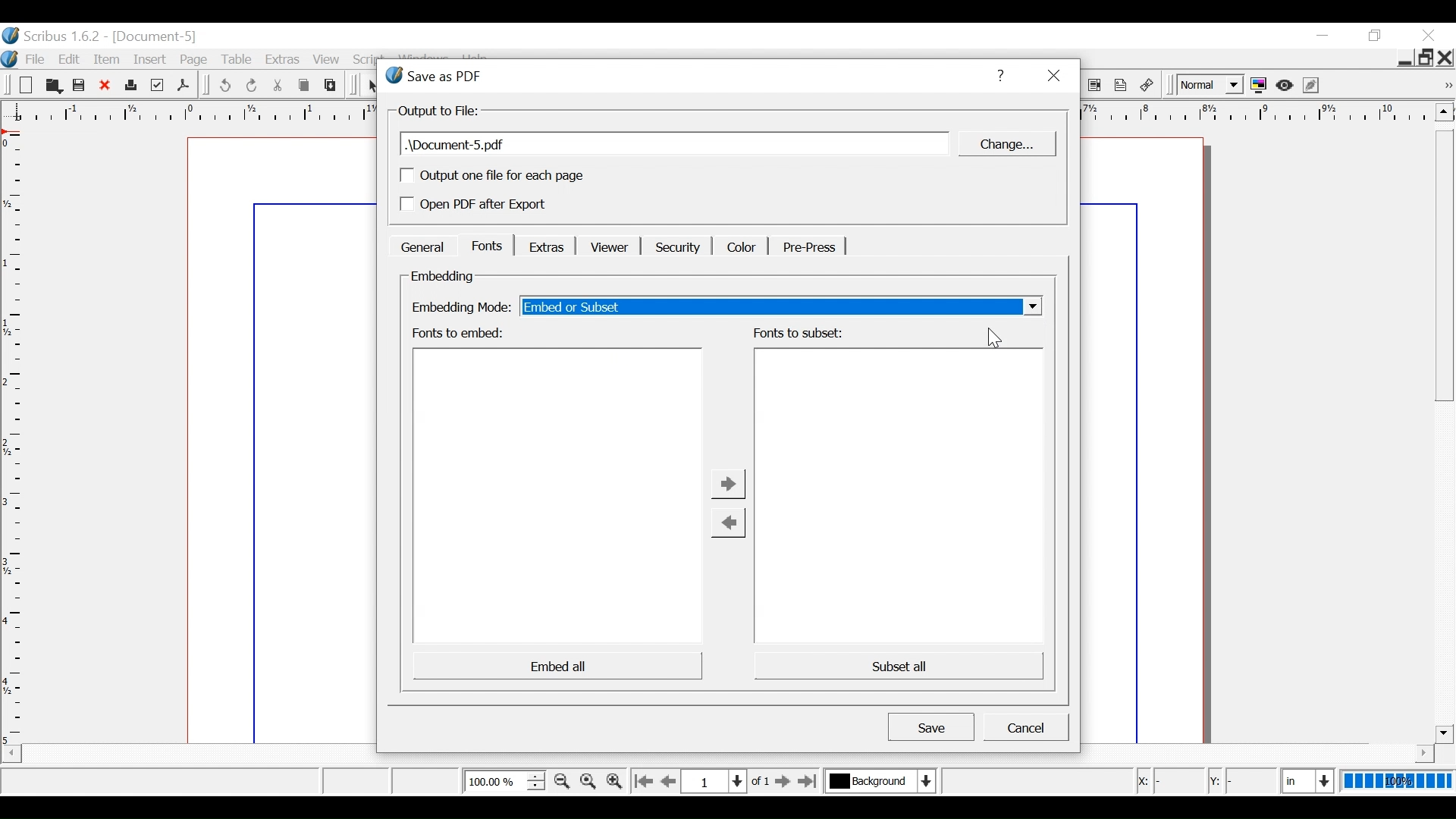 Image resolution: width=1456 pixels, height=819 pixels. What do you see at coordinates (1377, 36) in the screenshot?
I see `minimize` at bounding box center [1377, 36].